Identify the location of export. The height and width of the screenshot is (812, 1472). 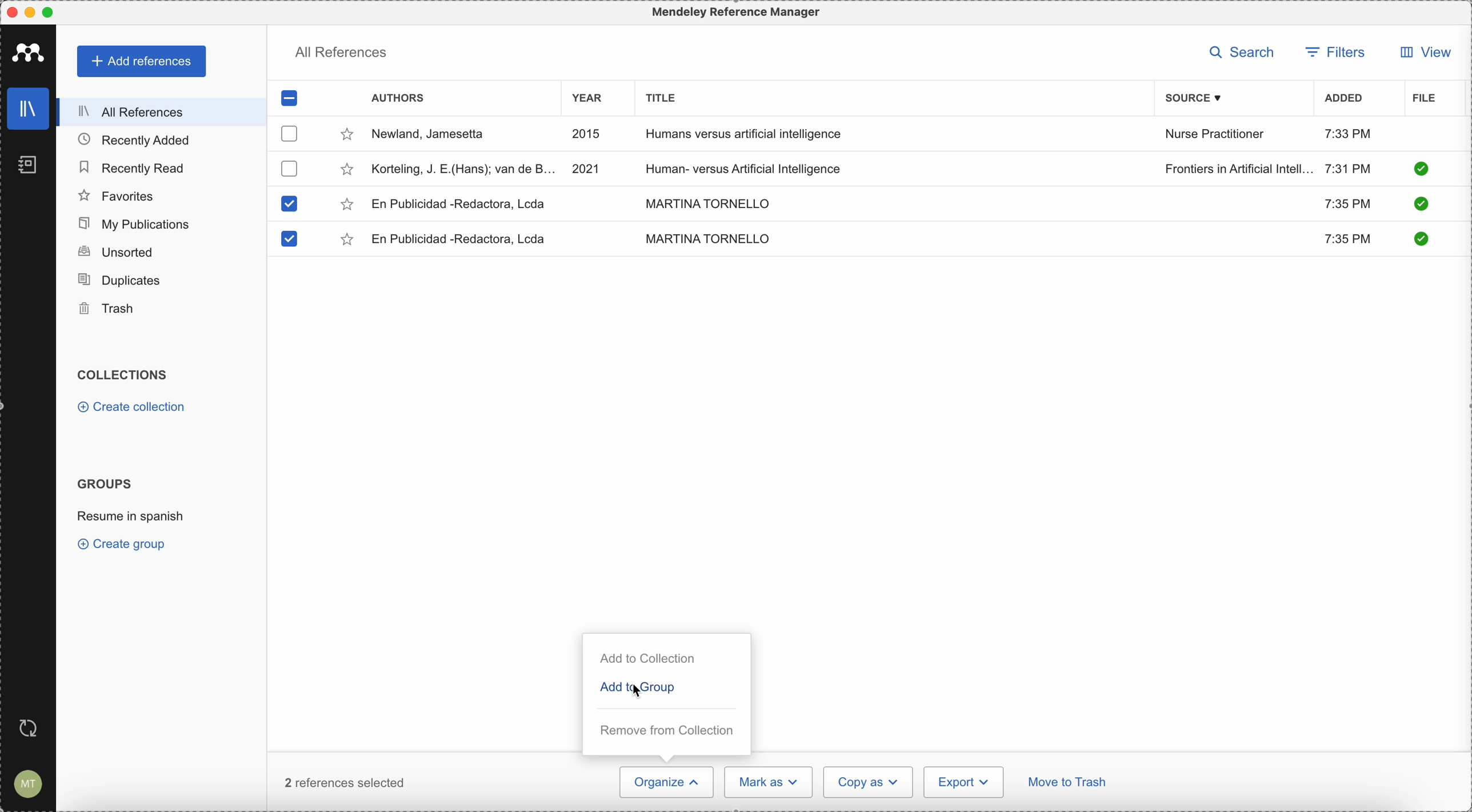
(963, 782).